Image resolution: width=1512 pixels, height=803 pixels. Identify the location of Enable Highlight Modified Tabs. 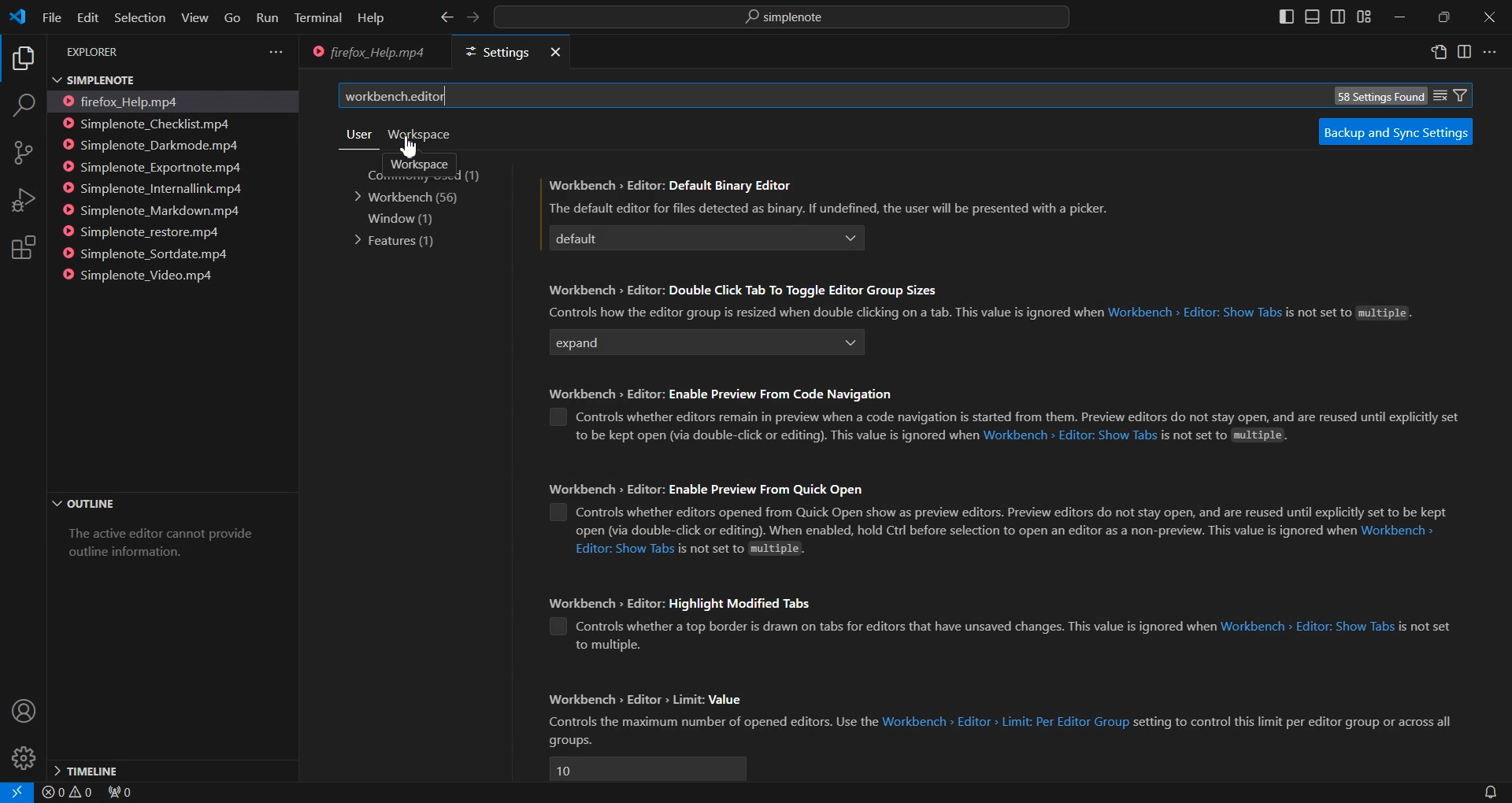
(558, 627).